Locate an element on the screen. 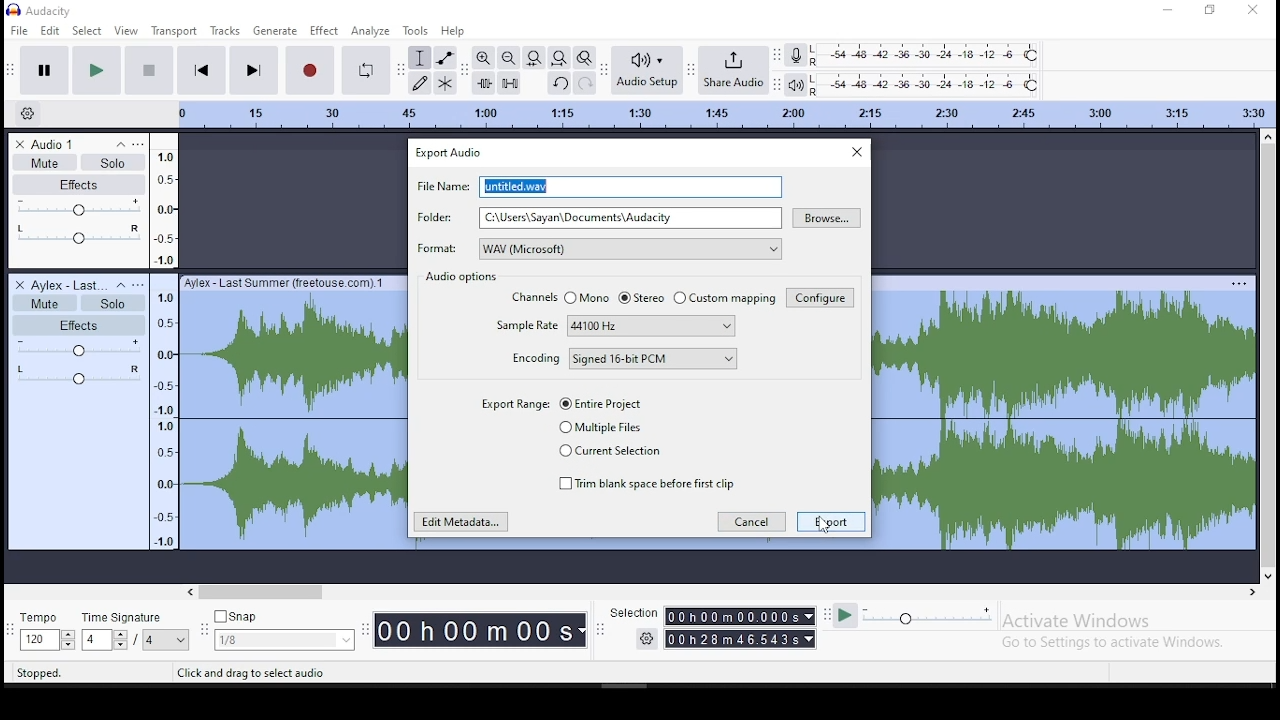 The height and width of the screenshot is (720, 1280). entire file is located at coordinates (601, 404).